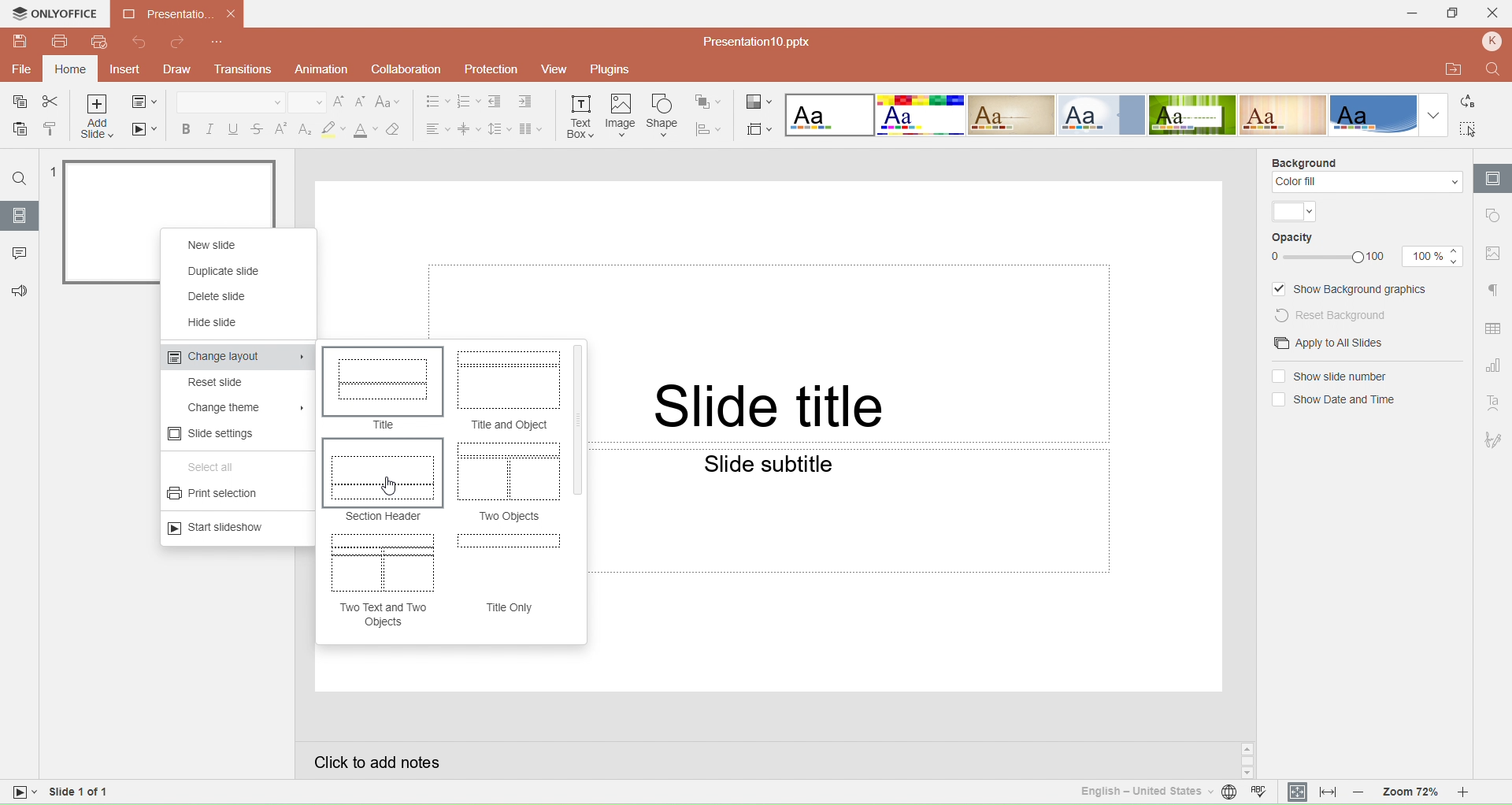  Describe the element at coordinates (208, 128) in the screenshot. I see `Italic` at that location.